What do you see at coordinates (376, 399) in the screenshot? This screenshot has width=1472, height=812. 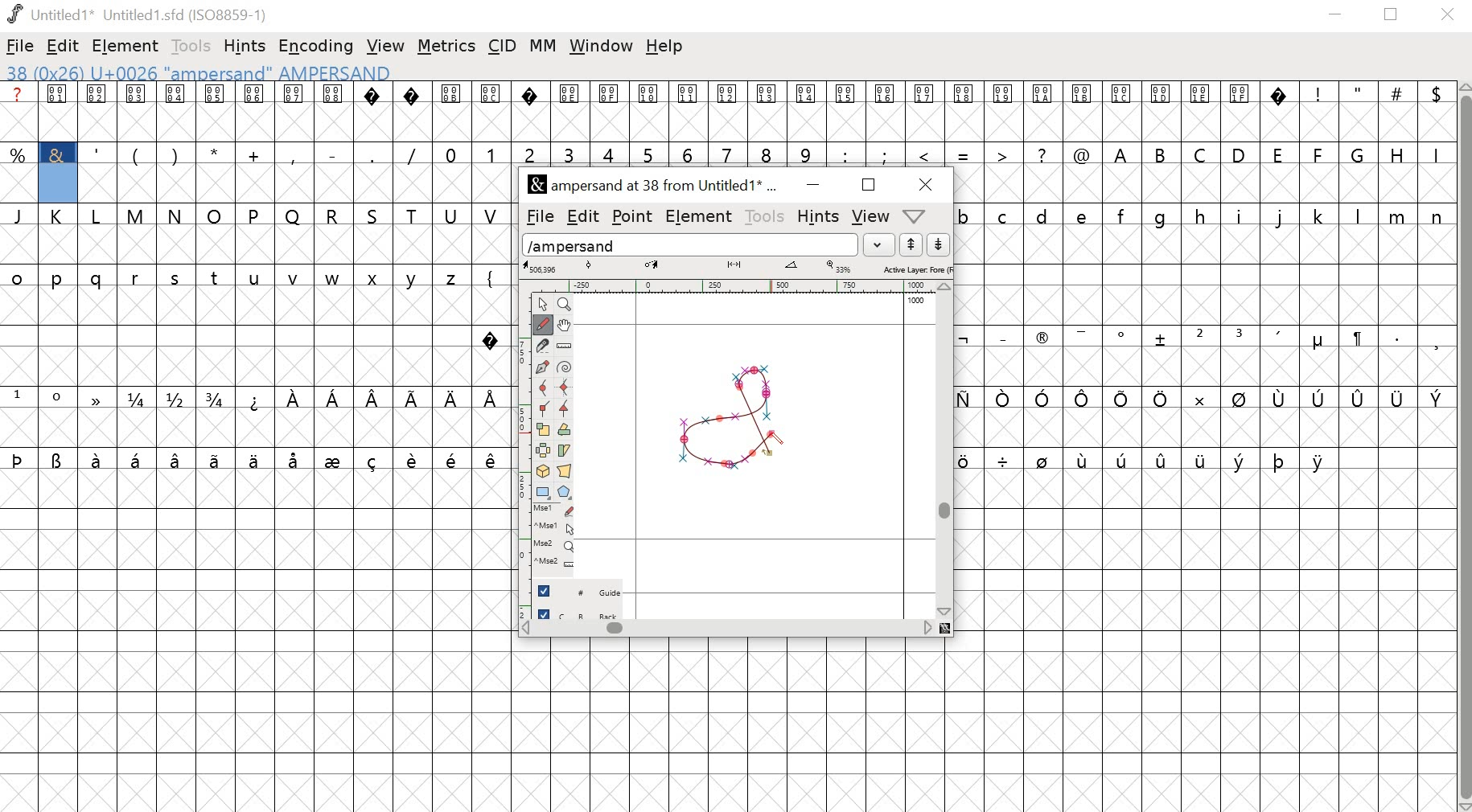 I see `symbol` at bounding box center [376, 399].